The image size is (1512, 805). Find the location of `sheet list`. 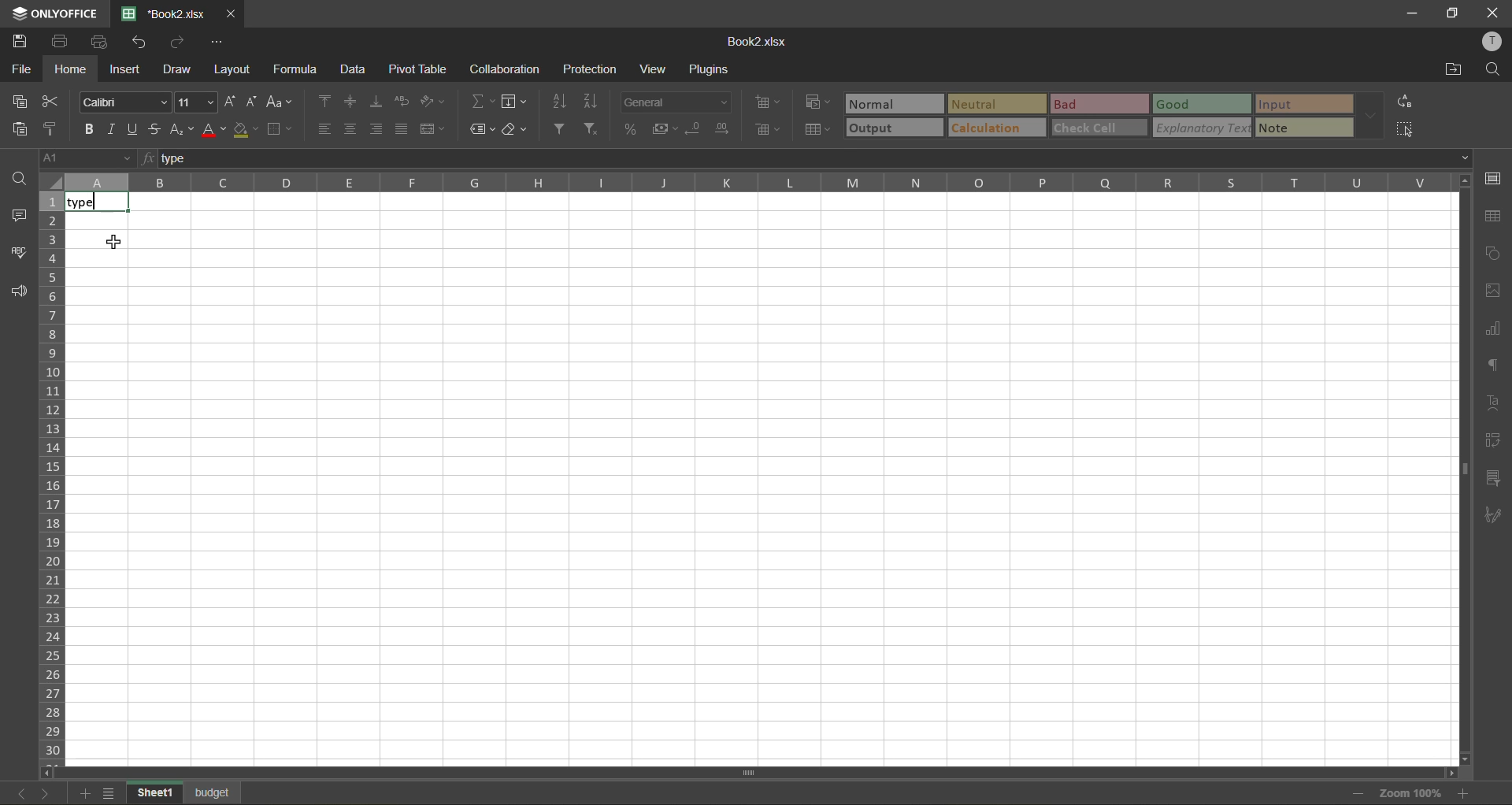

sheet list is located at coordinates (110, 793).